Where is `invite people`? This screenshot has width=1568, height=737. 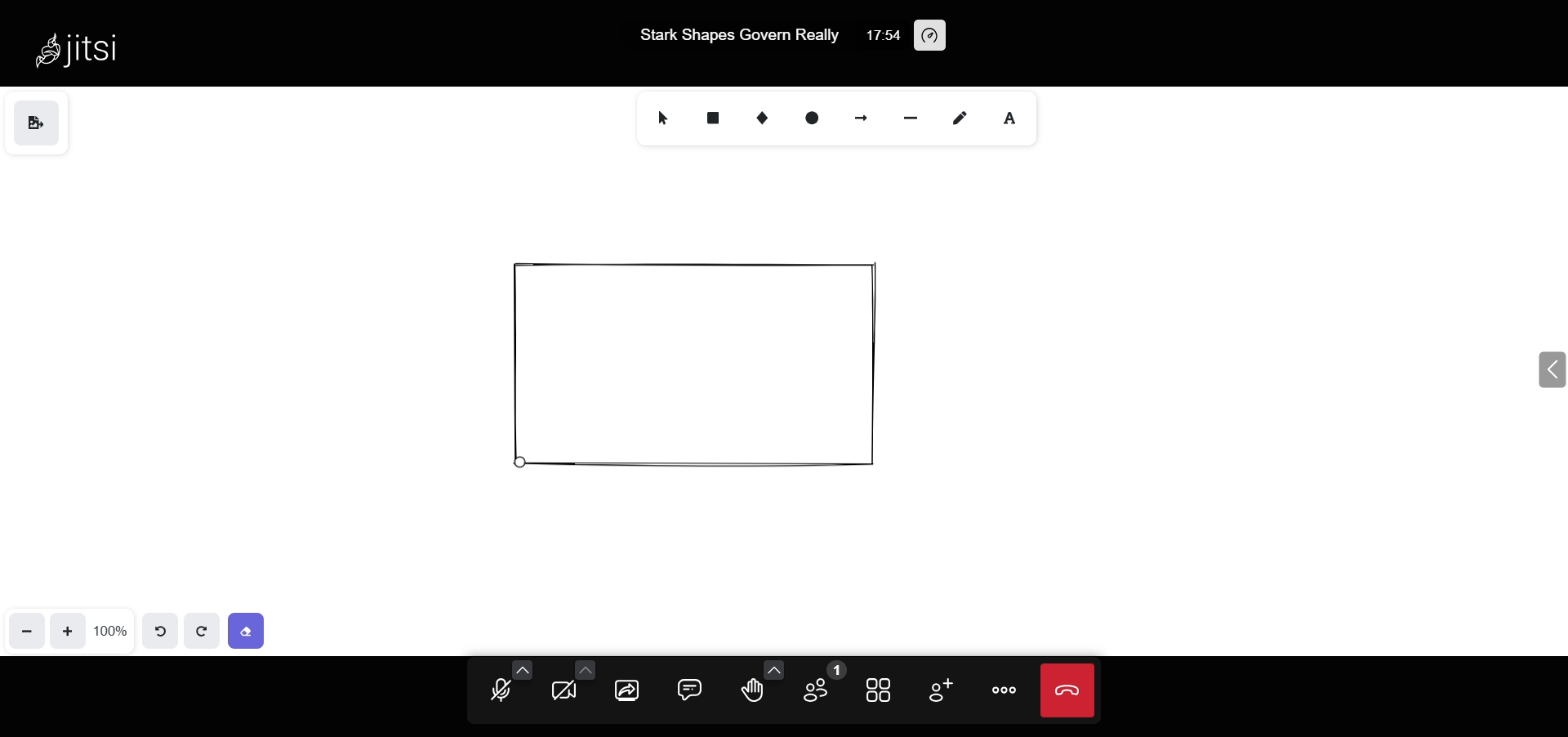
invite people is located at coordinates (940, 690).